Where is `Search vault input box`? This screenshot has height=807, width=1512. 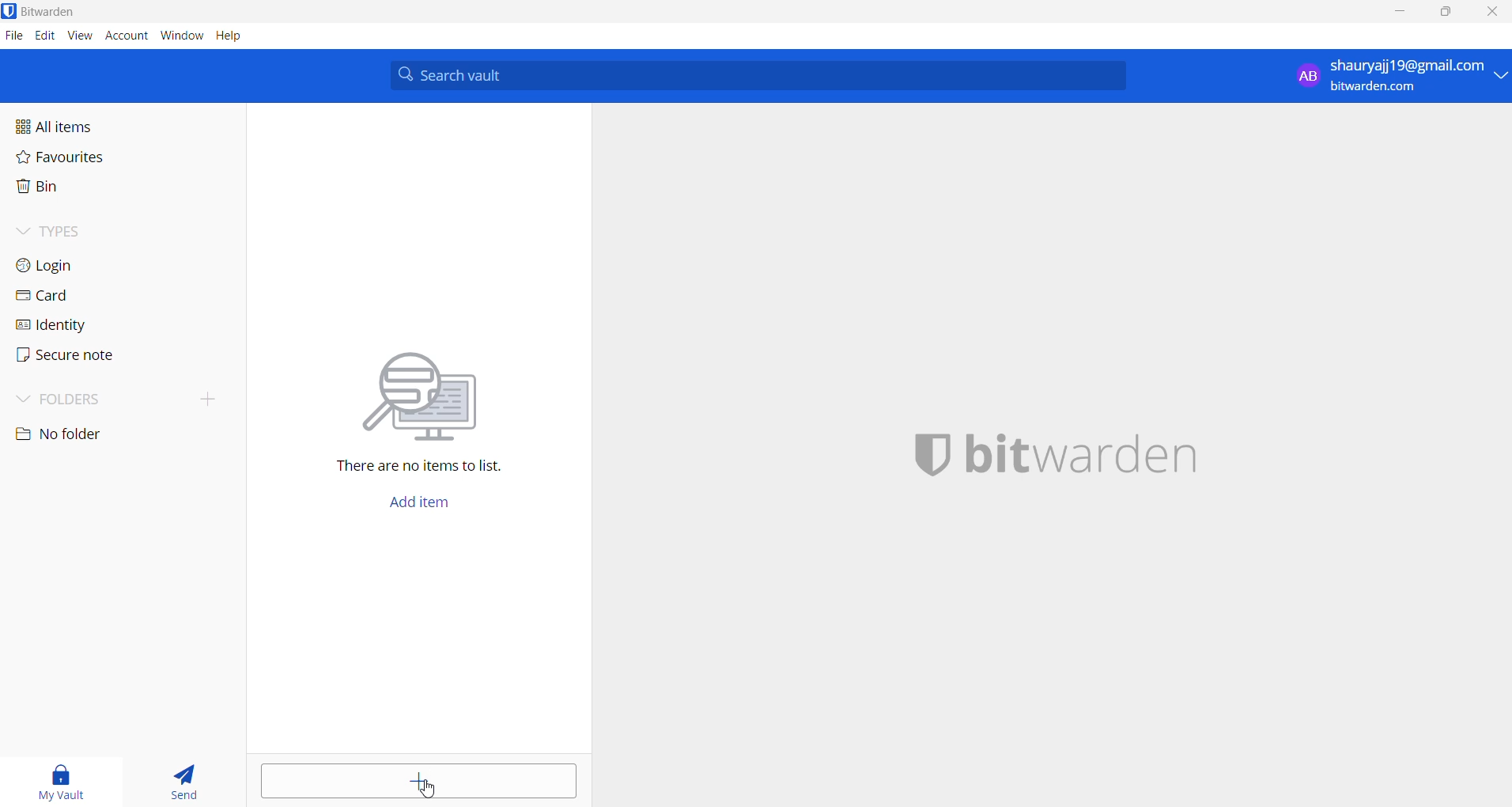
Search vault input box is located at coordinates (753, 75).